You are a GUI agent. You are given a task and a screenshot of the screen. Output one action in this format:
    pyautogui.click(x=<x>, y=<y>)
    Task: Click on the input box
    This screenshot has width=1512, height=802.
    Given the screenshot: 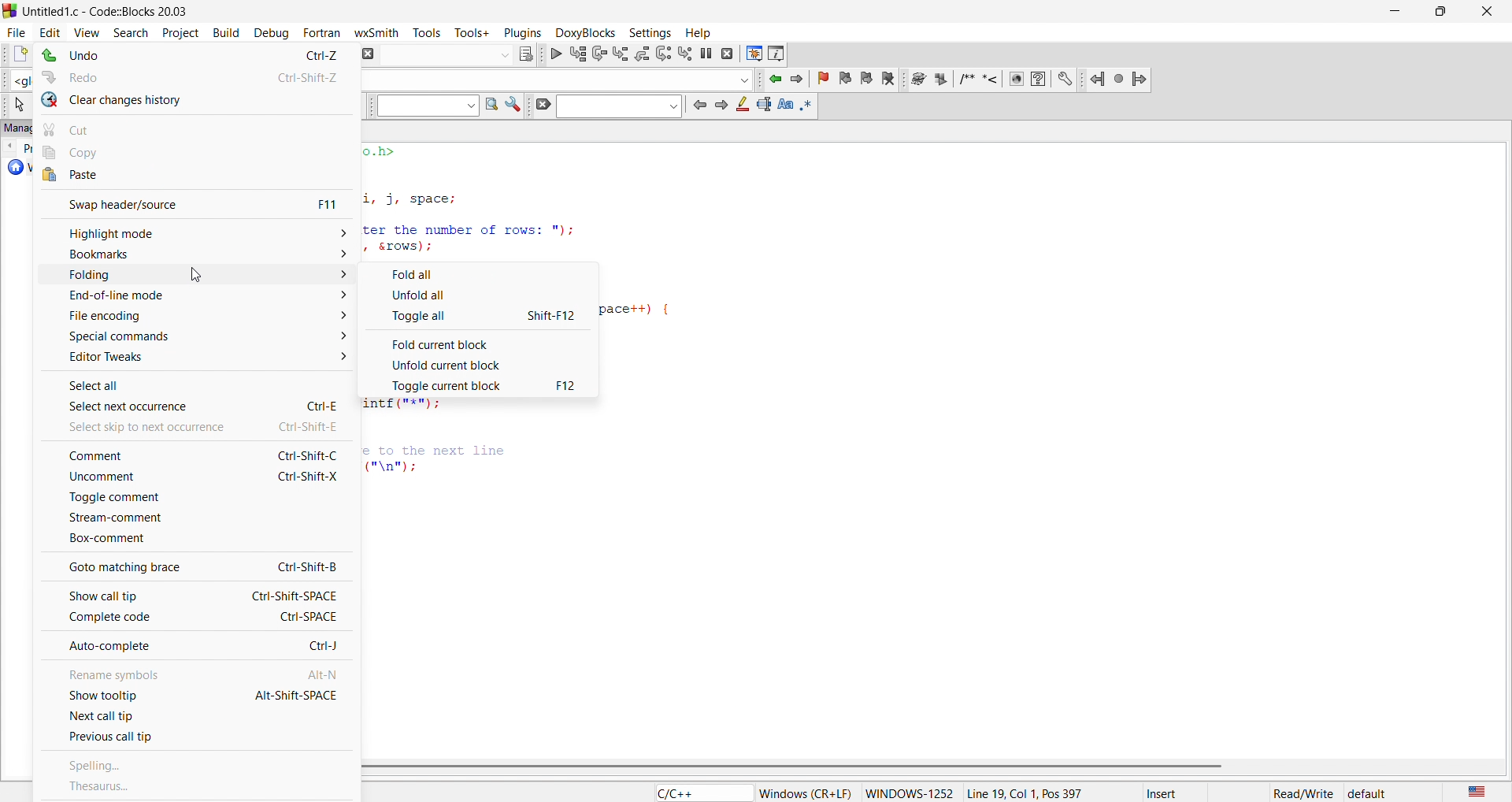 What is the action you would take?
    pyautogui.click(x=617, y=106)
    